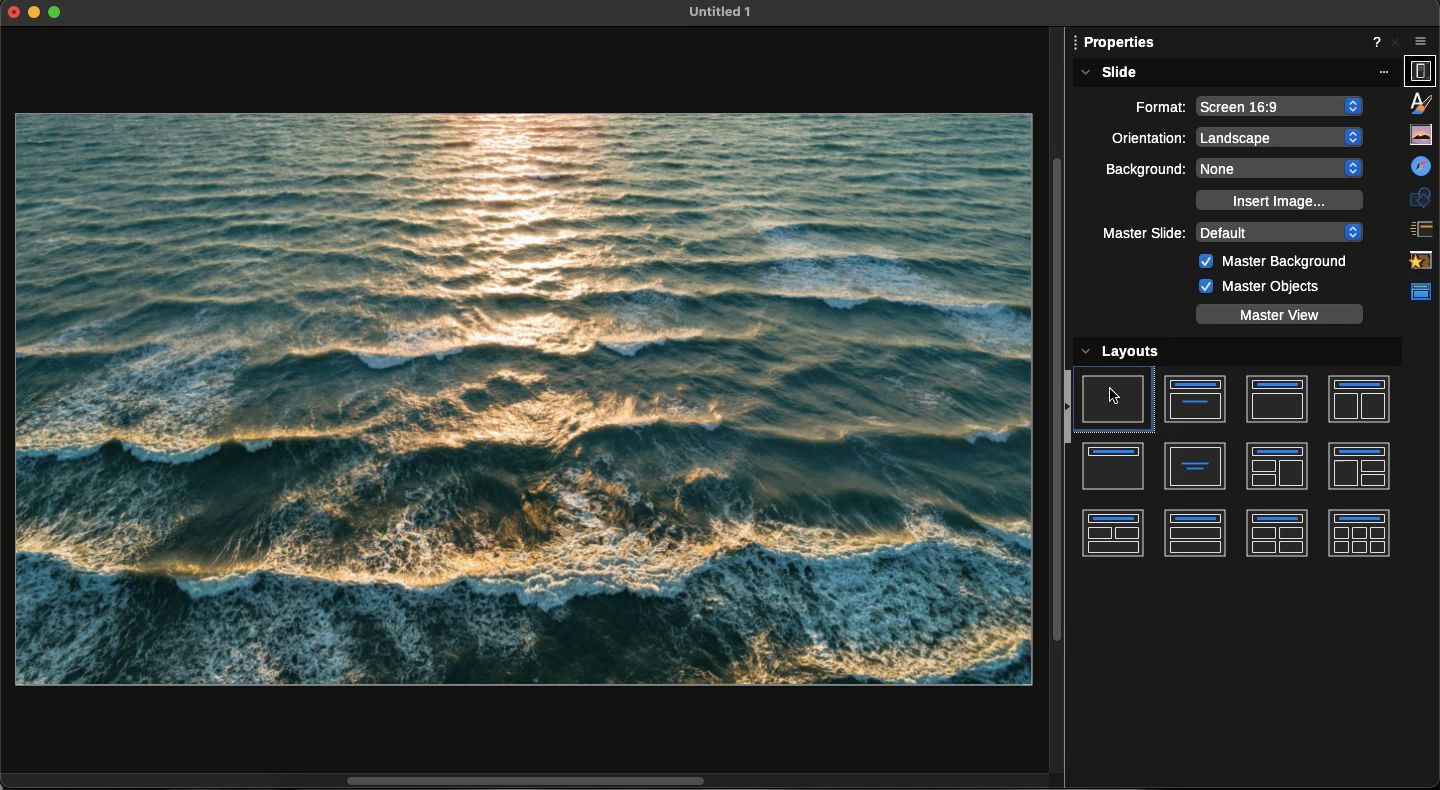 This screenshot has width=1440, height=790. I want to click on Title and text box, so click(1198, 397).